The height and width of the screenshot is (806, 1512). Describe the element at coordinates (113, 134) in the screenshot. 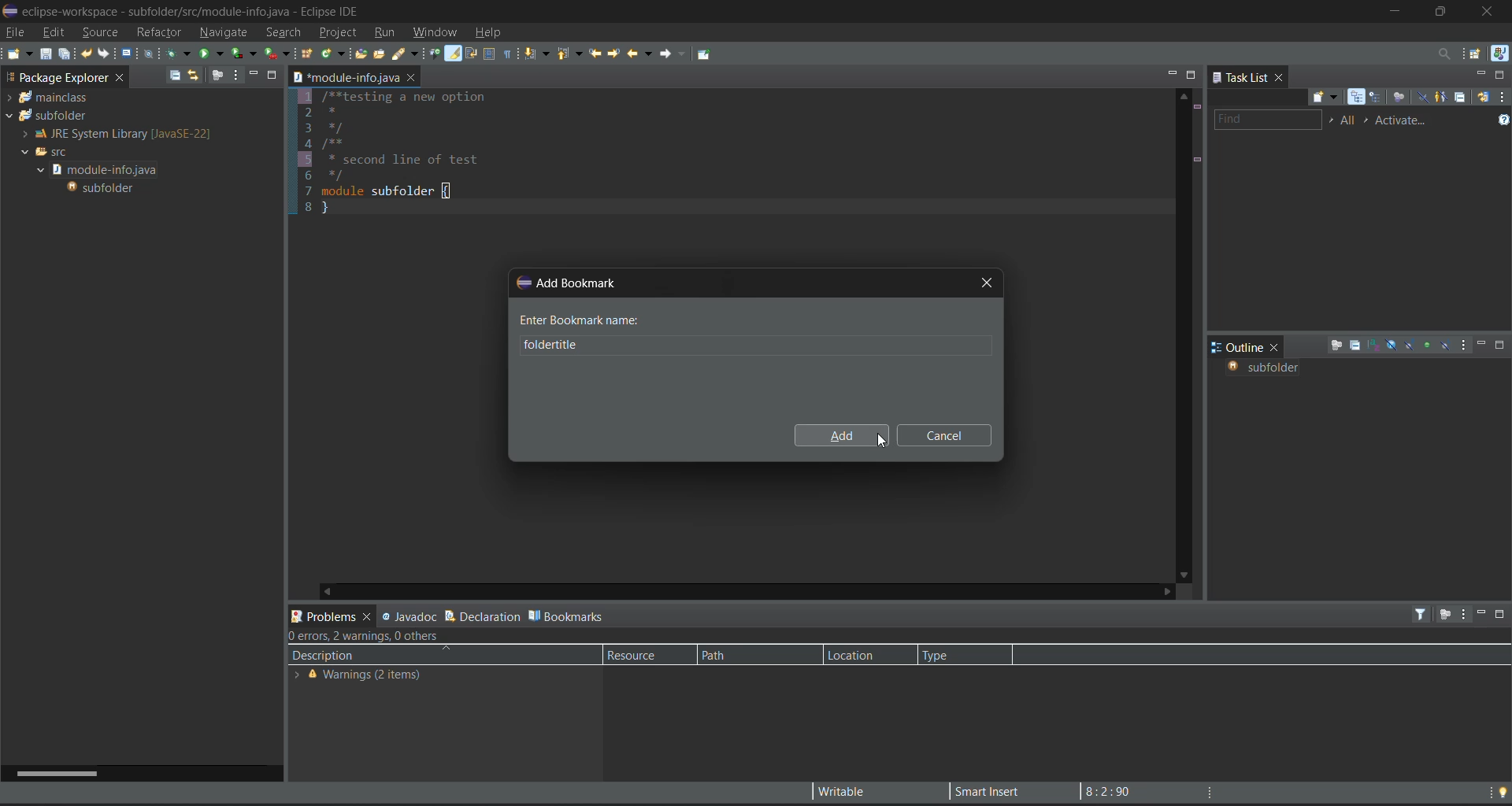

I see `JRE System Library [JavaSE-22]` at that location.